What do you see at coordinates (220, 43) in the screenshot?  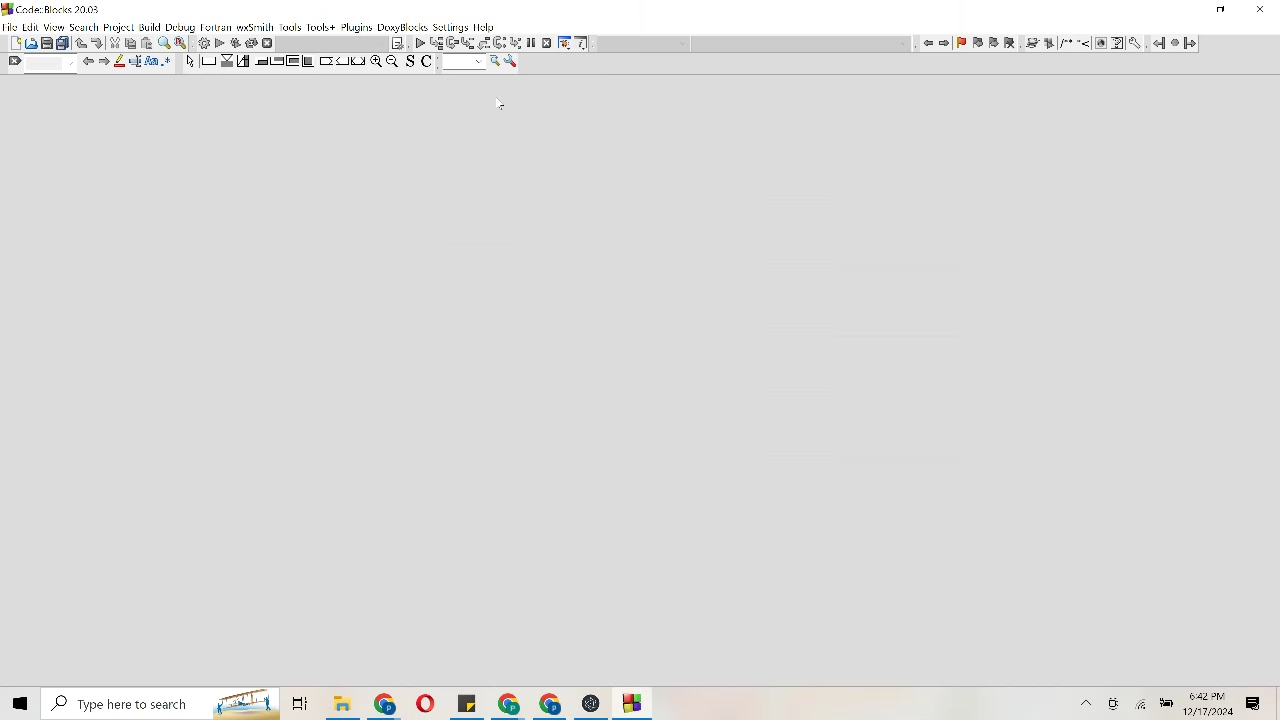 I see `Play` at bounding box center [220, 43].